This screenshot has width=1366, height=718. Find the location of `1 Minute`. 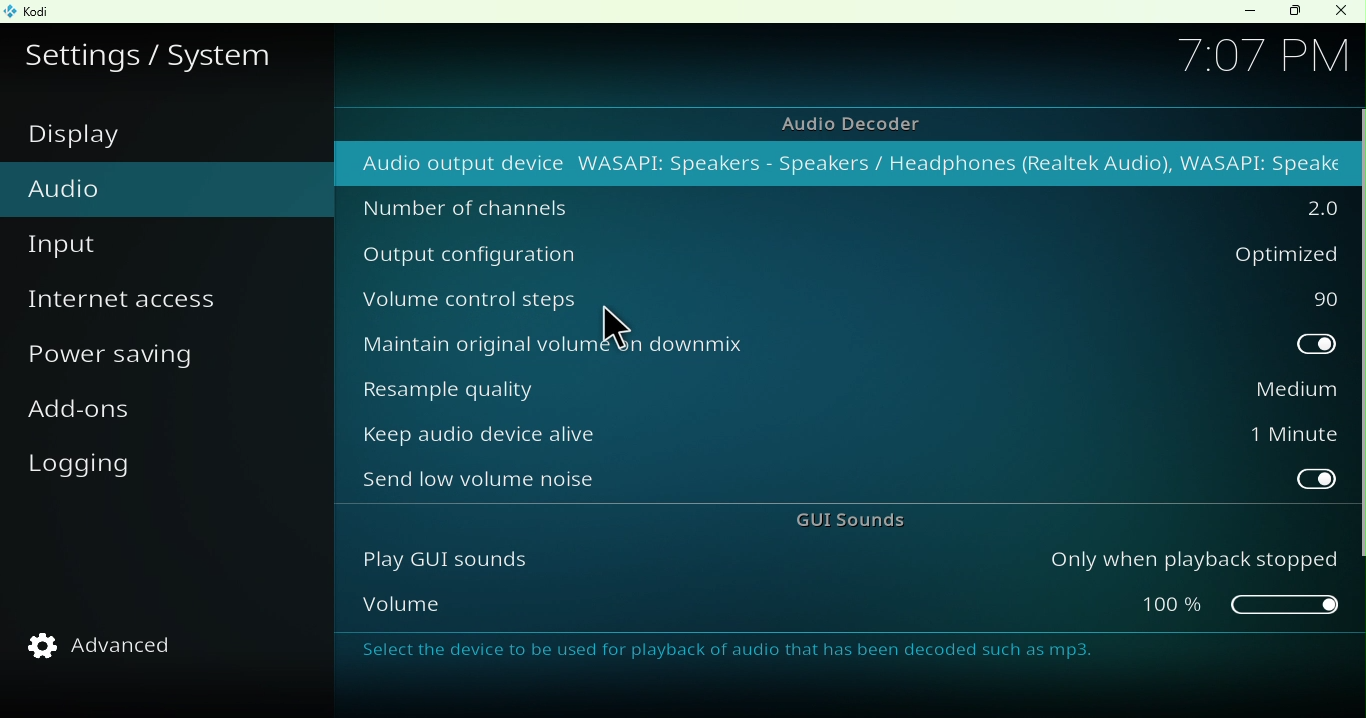

1 Minute is located at coordinates (1225, 436).